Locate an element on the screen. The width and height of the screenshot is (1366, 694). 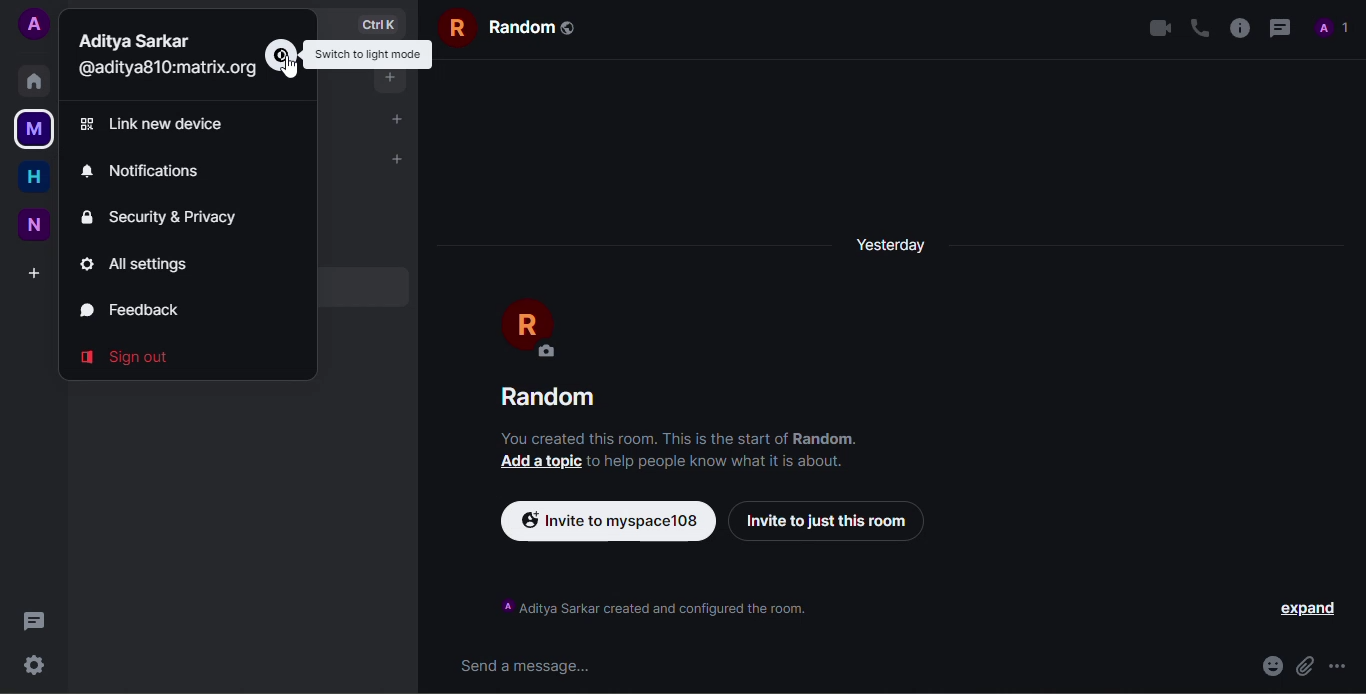
add is located at coordinates (389, 77).